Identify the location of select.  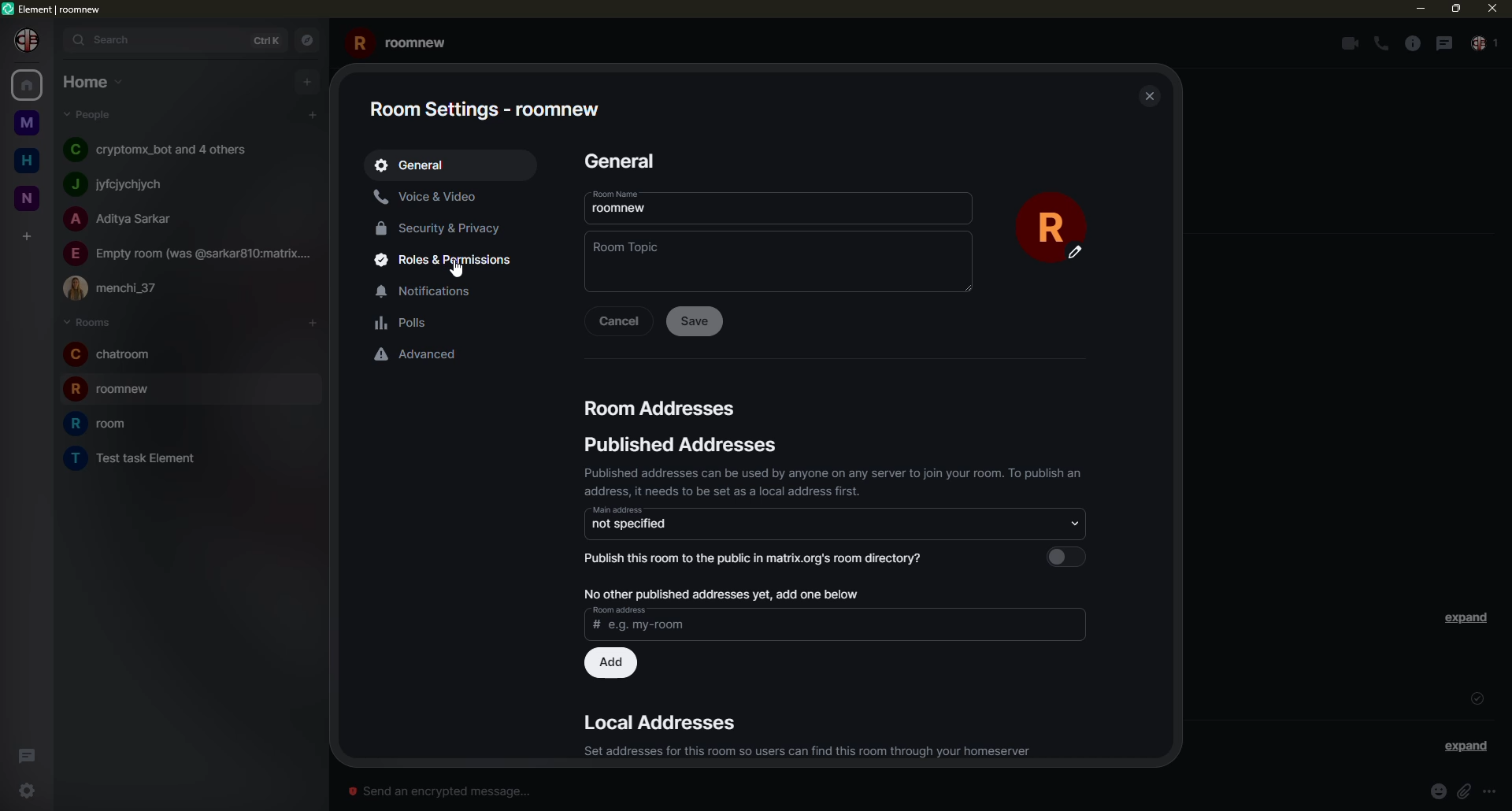
(1069, 556).